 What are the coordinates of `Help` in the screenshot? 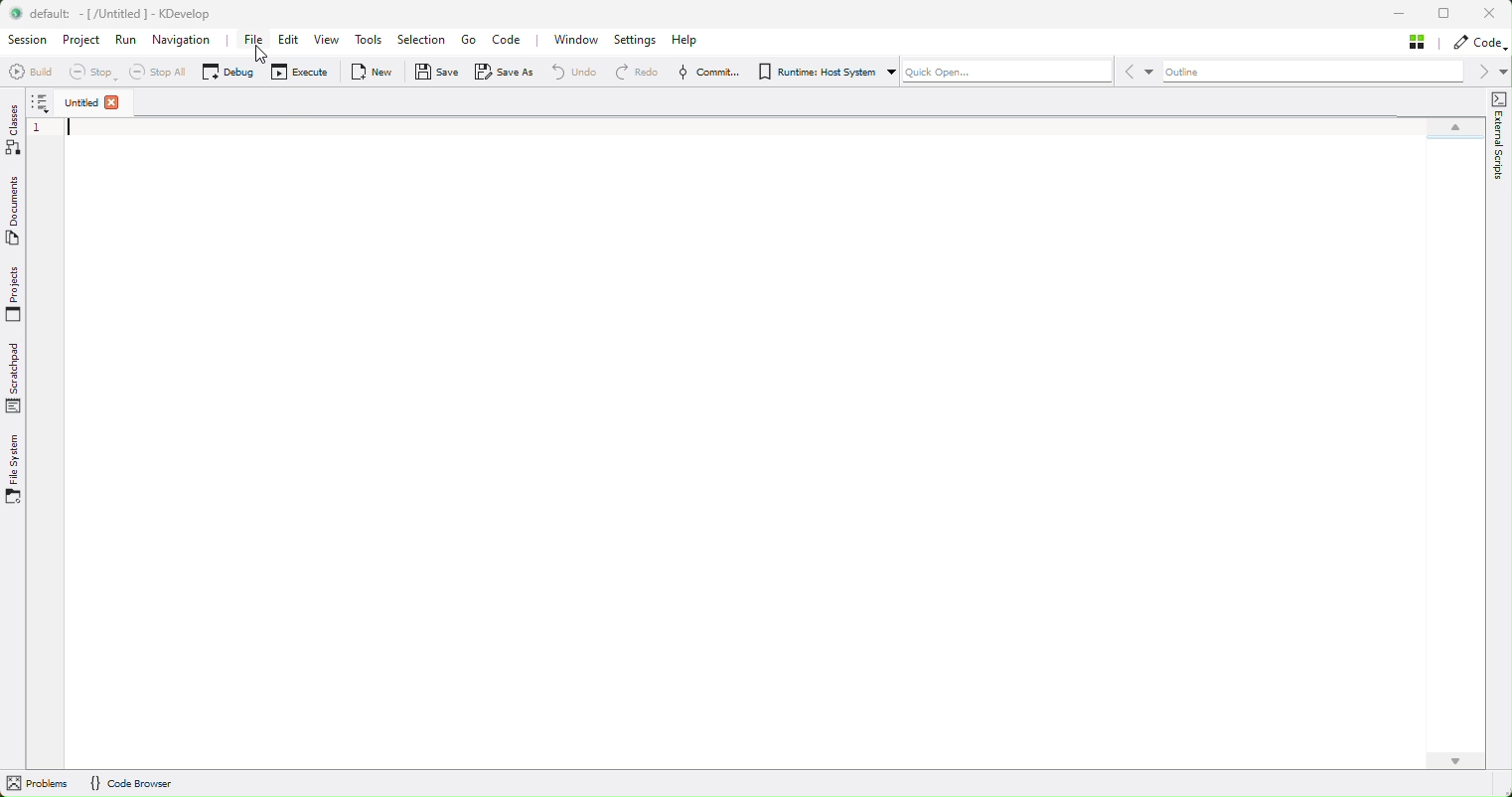 It's located at (686, 42).